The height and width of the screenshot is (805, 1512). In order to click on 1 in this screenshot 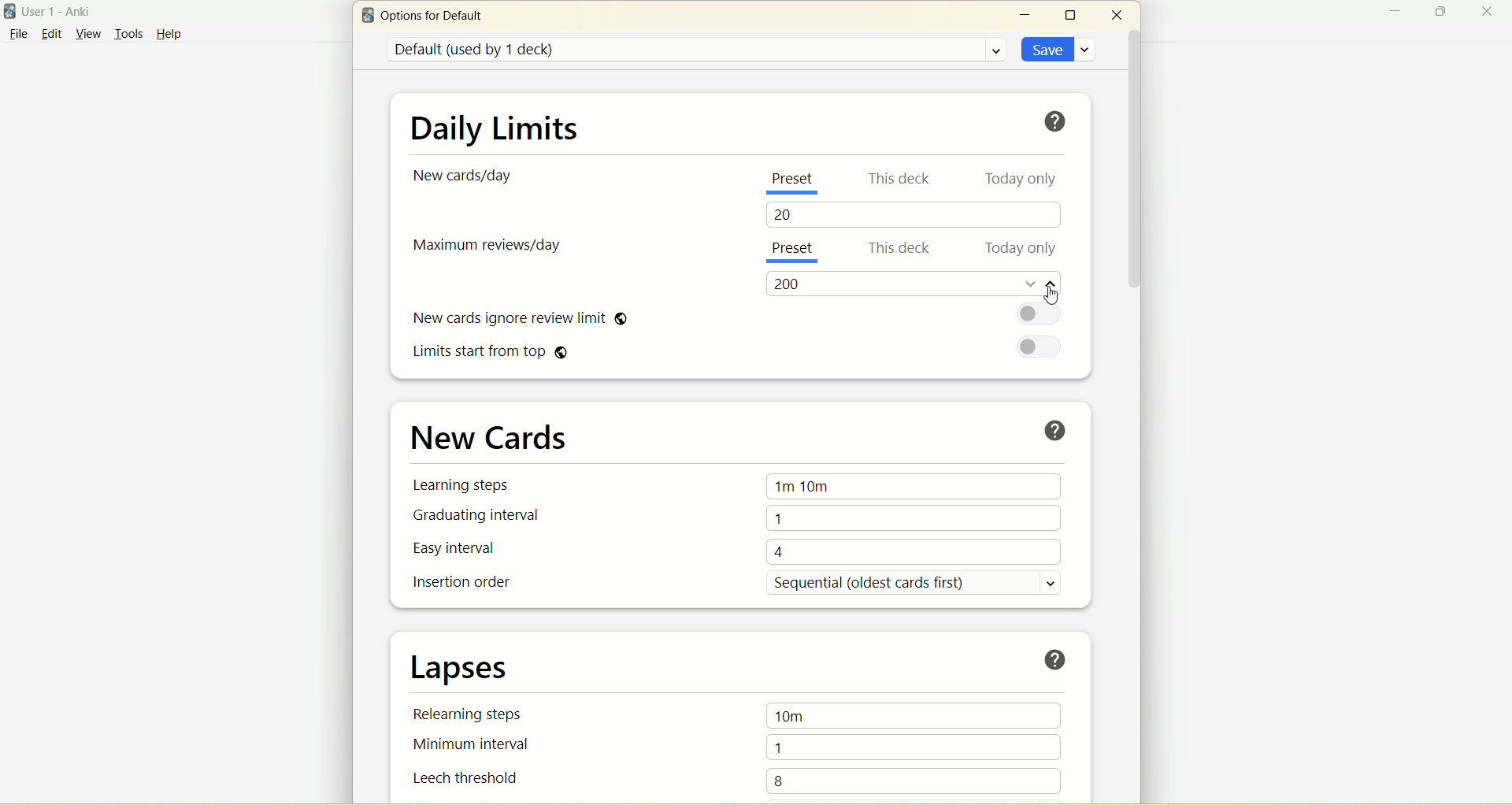, I will do `click(920, 747)`.